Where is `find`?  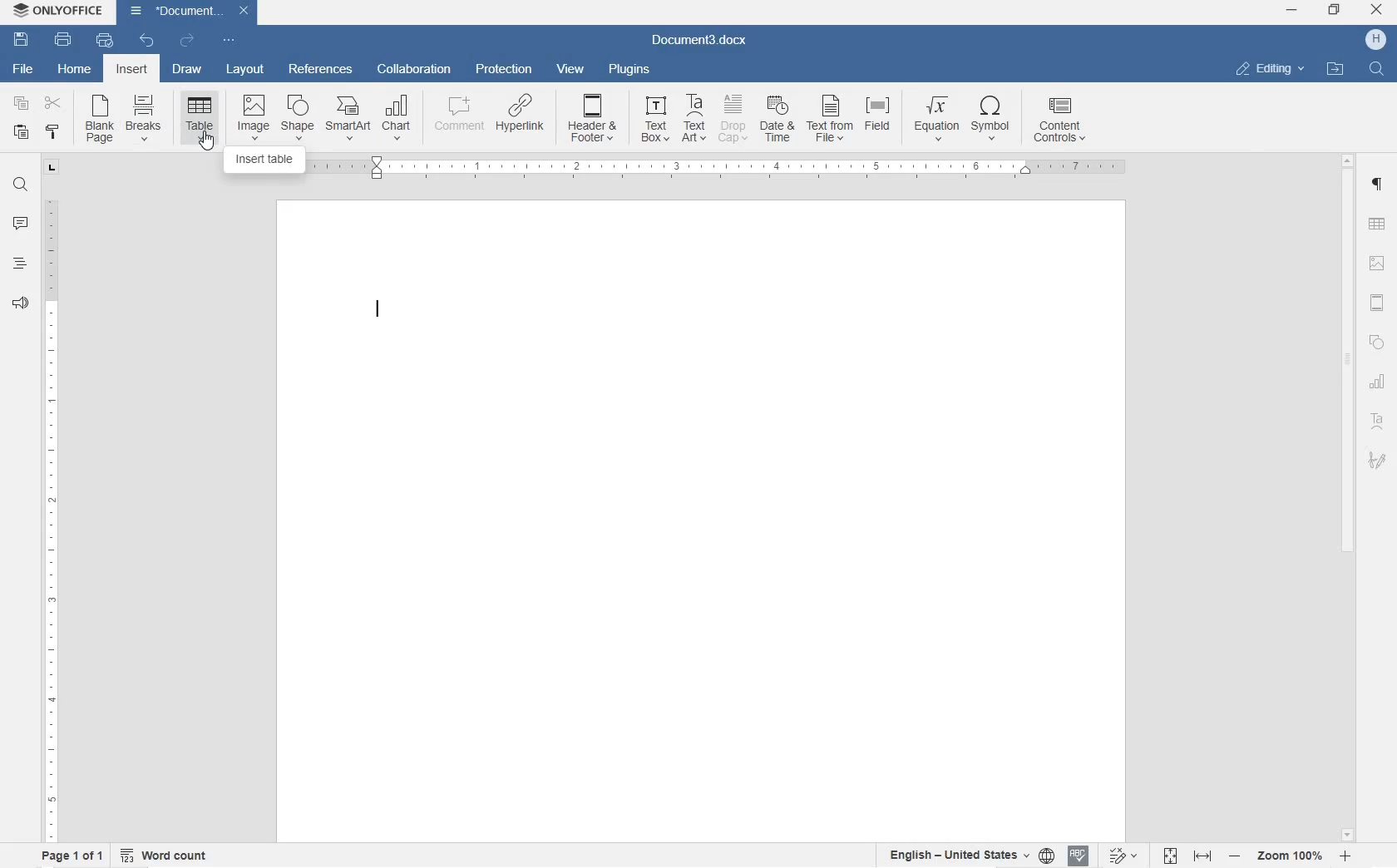 find is located at coordinates (1379, 70).